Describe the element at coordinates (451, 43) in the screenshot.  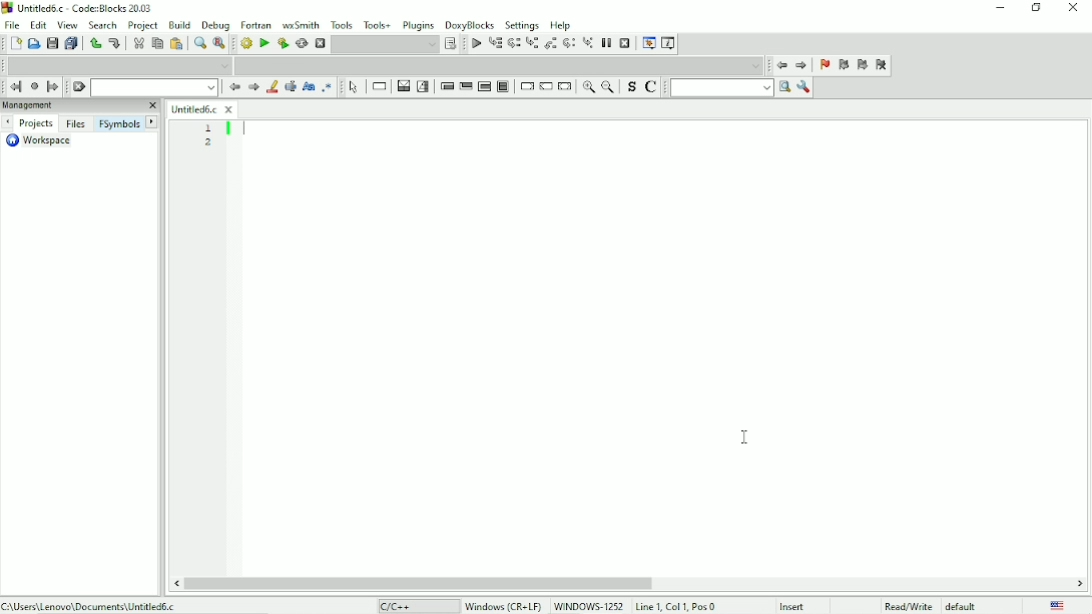
I see `Show the select target dialog` at that location.